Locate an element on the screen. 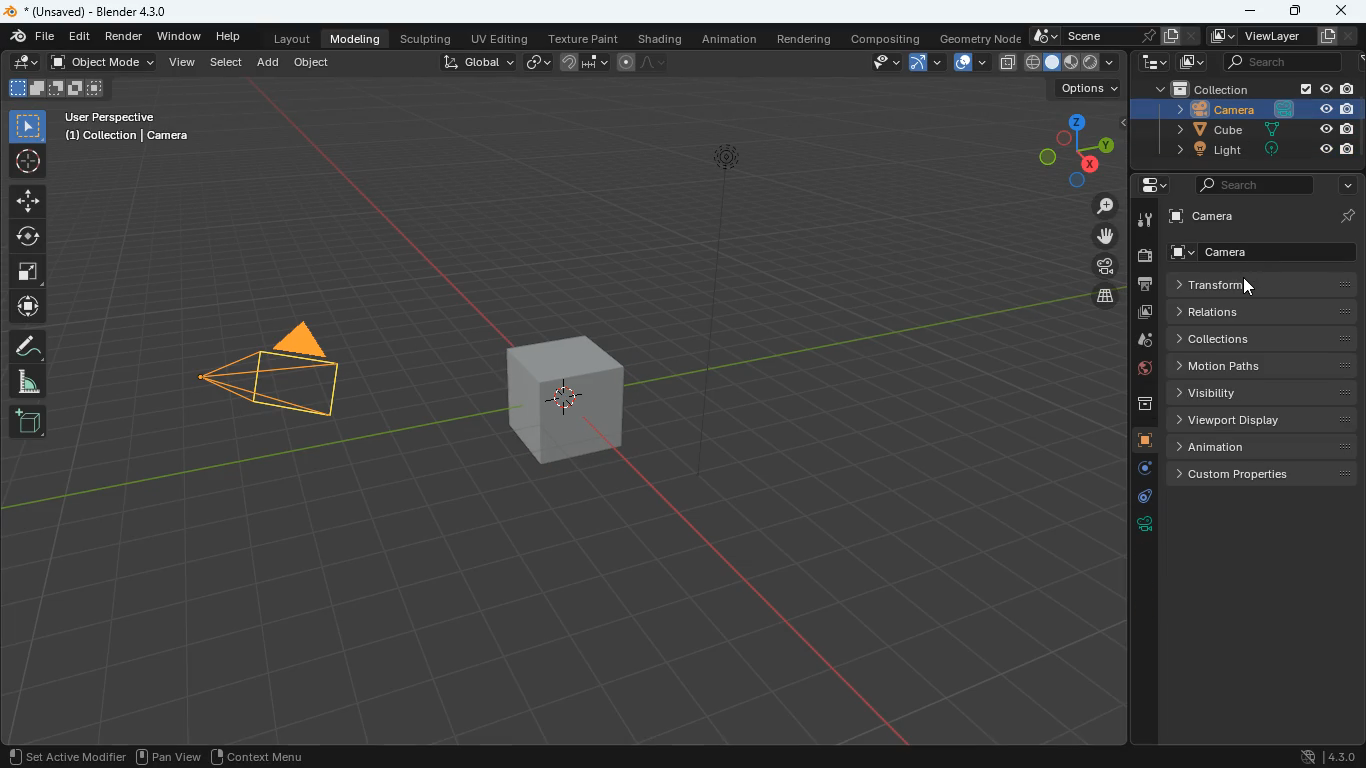 This screenshot has width=1366, height=768. context menu is located at coordinates (262, 755).